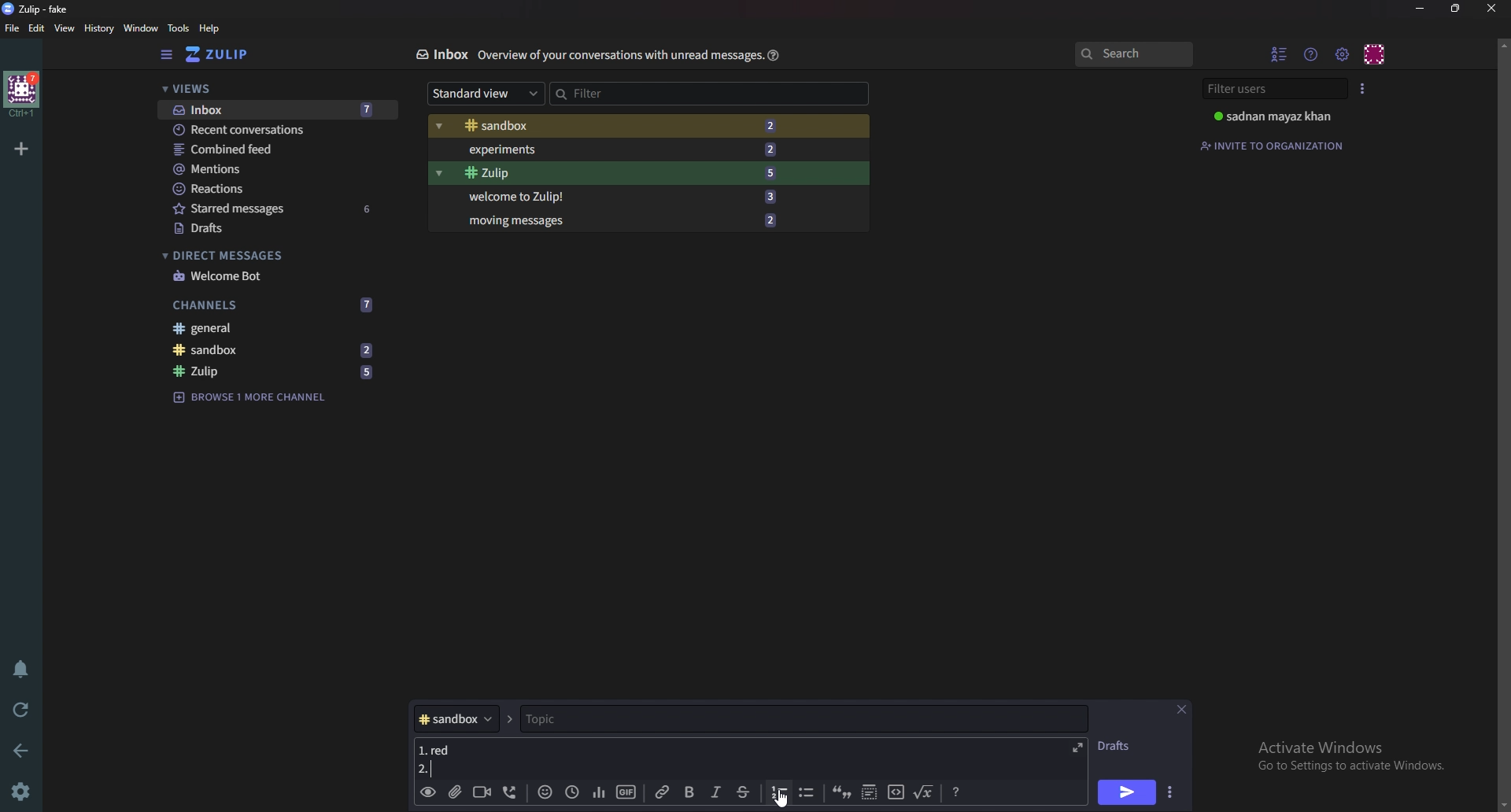 This screenshot has height=812, width=1511. Describe the element at coordinates (268, 256) in the screenshot. I see `Direct messages` at that location.